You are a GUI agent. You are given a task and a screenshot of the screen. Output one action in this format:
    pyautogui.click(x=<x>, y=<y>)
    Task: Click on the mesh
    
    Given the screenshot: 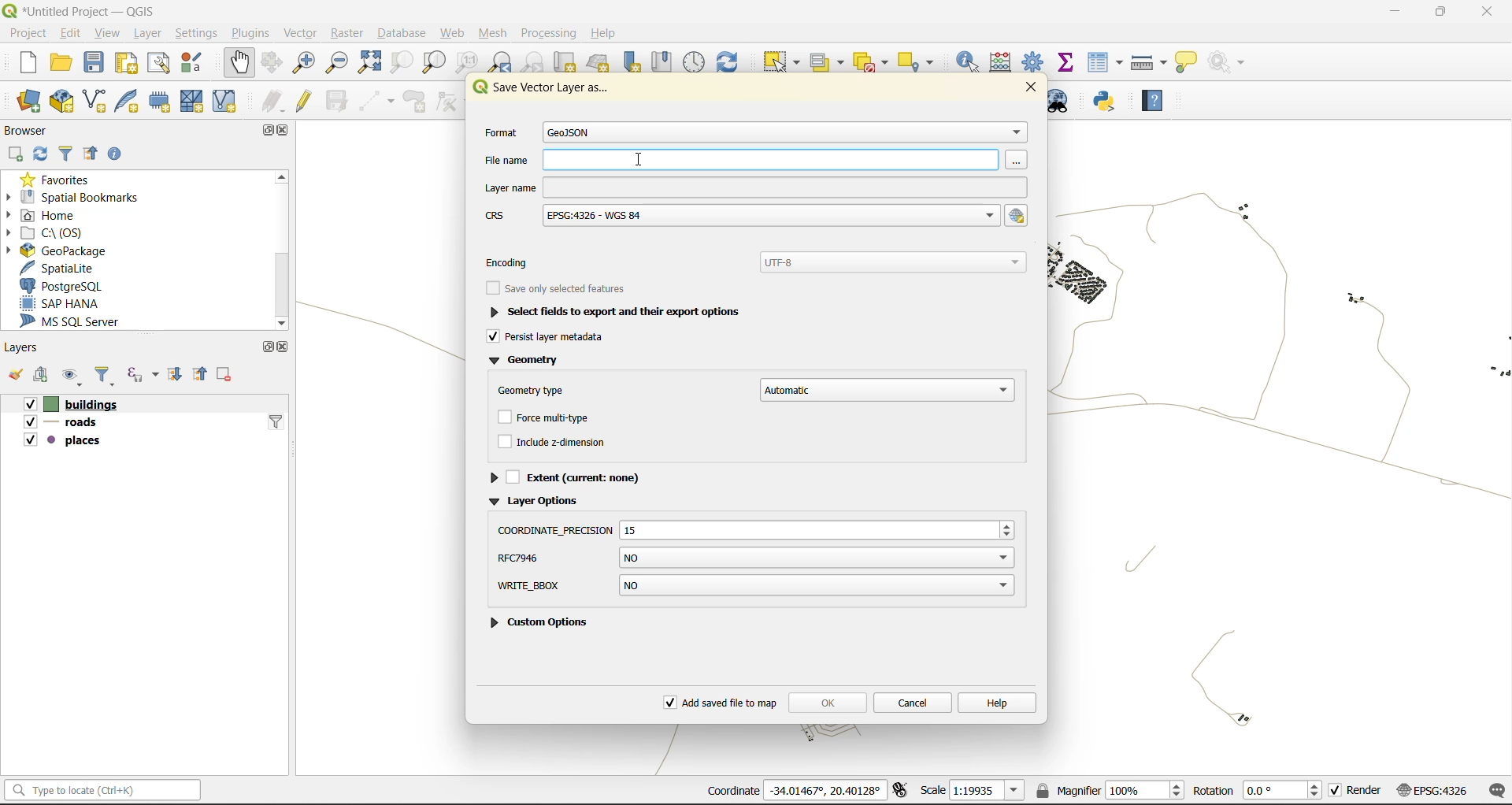 What is the action you would take?
    pyautogui.click(x=493, y=33)
    